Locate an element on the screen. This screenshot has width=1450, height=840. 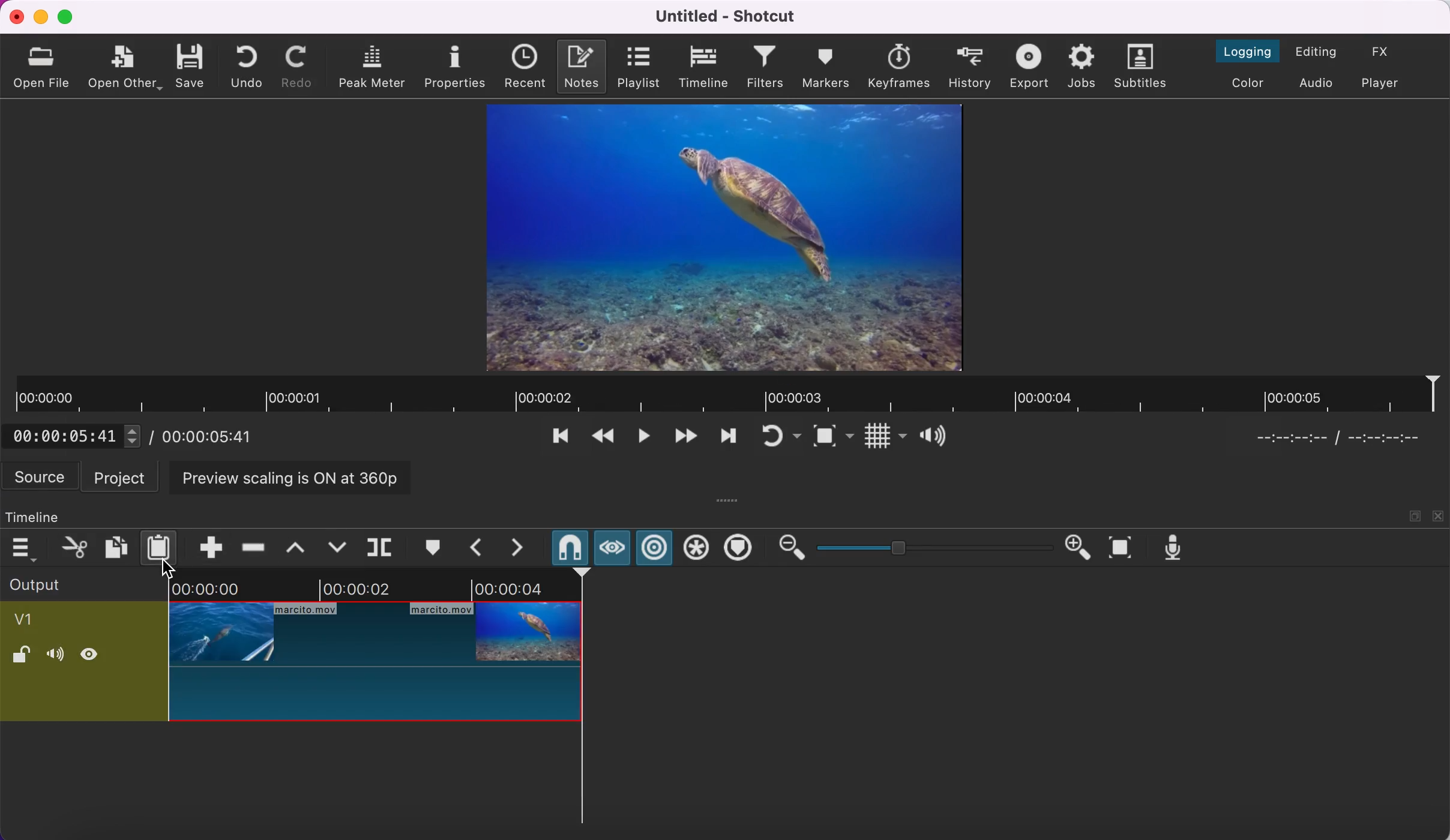
 is located at coordinates (775, 436).